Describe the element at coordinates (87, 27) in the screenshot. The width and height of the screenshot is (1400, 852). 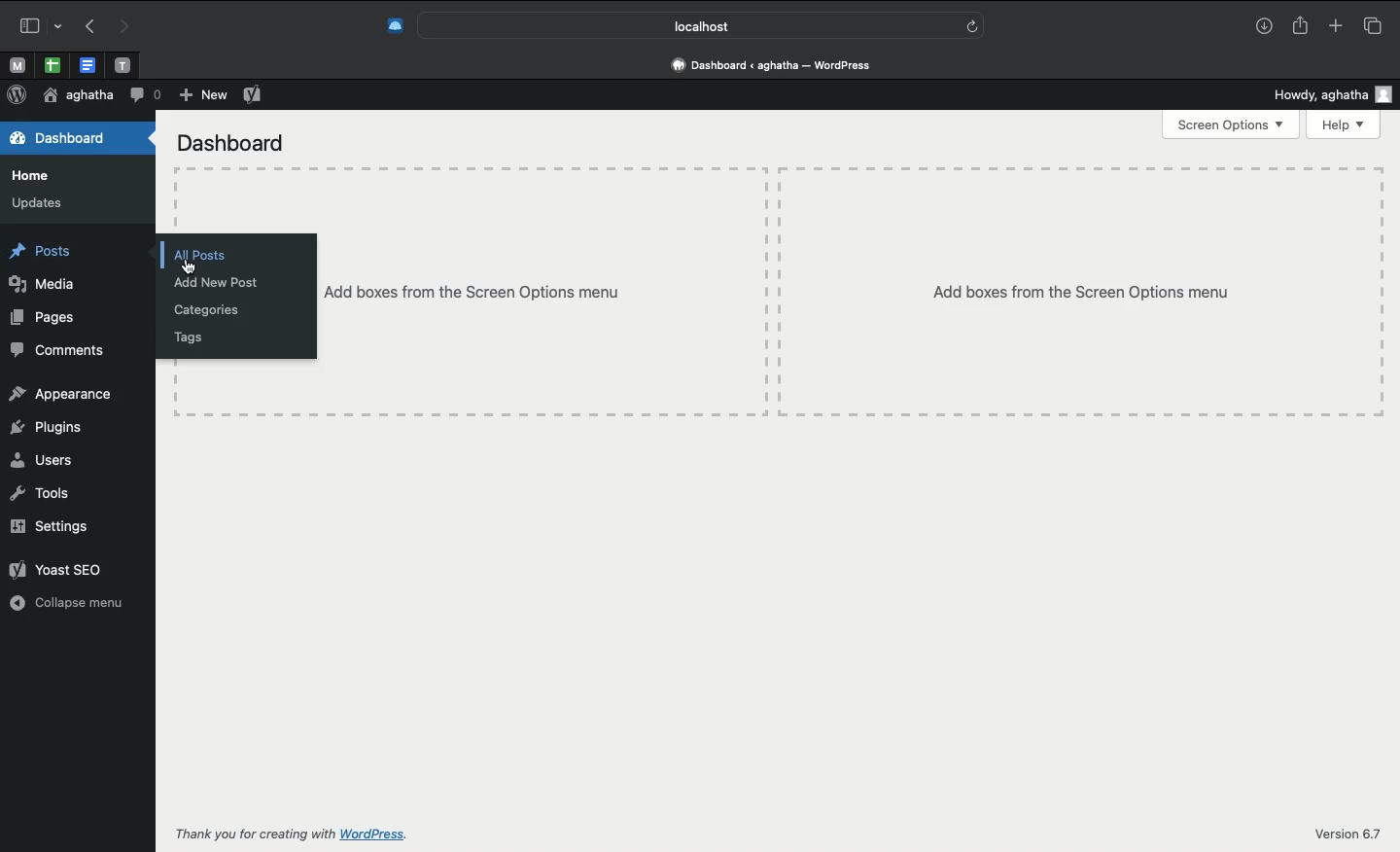
I see `Previous page` at that location.